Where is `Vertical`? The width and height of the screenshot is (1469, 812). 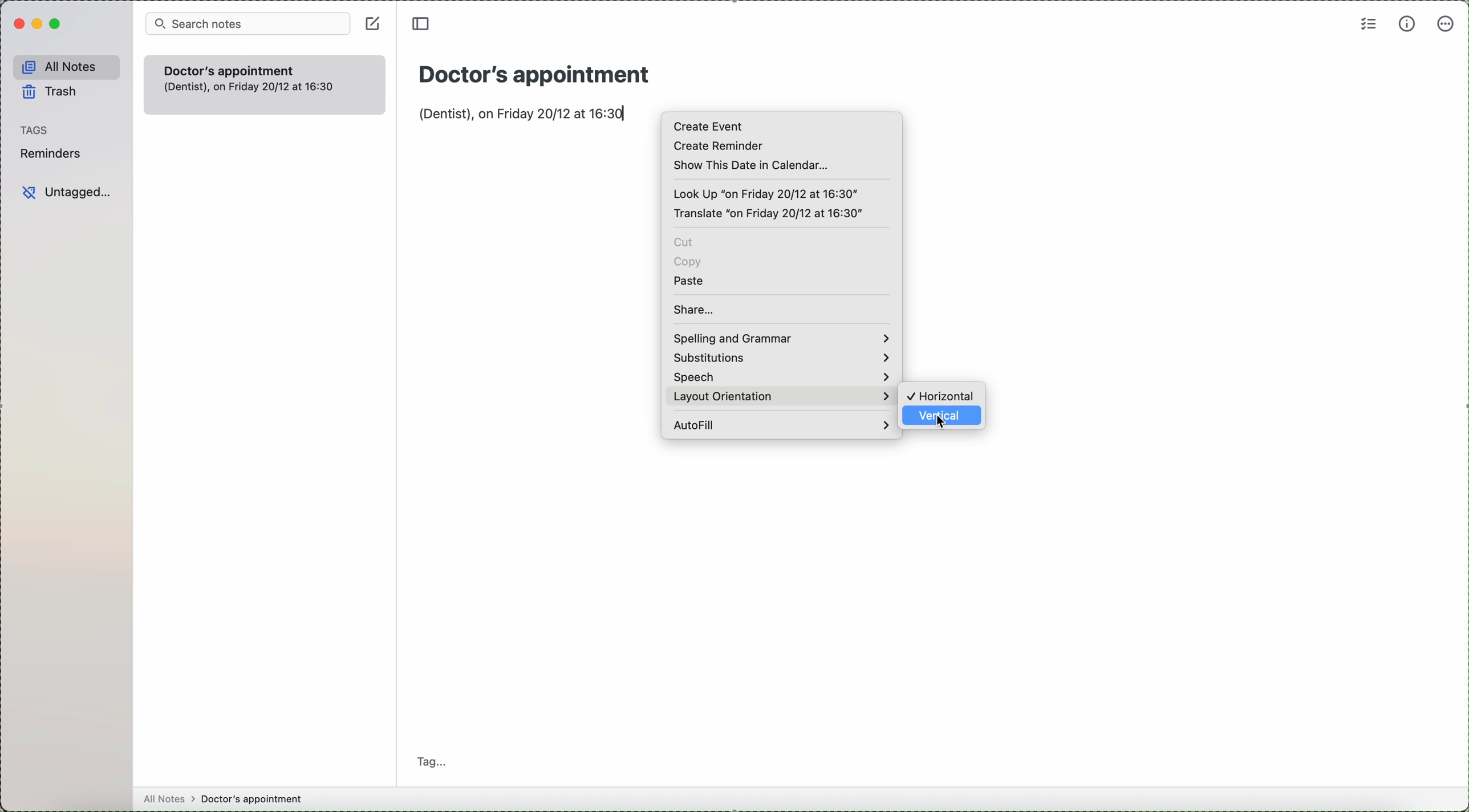
Vertical is located at coordinates (944, 420).